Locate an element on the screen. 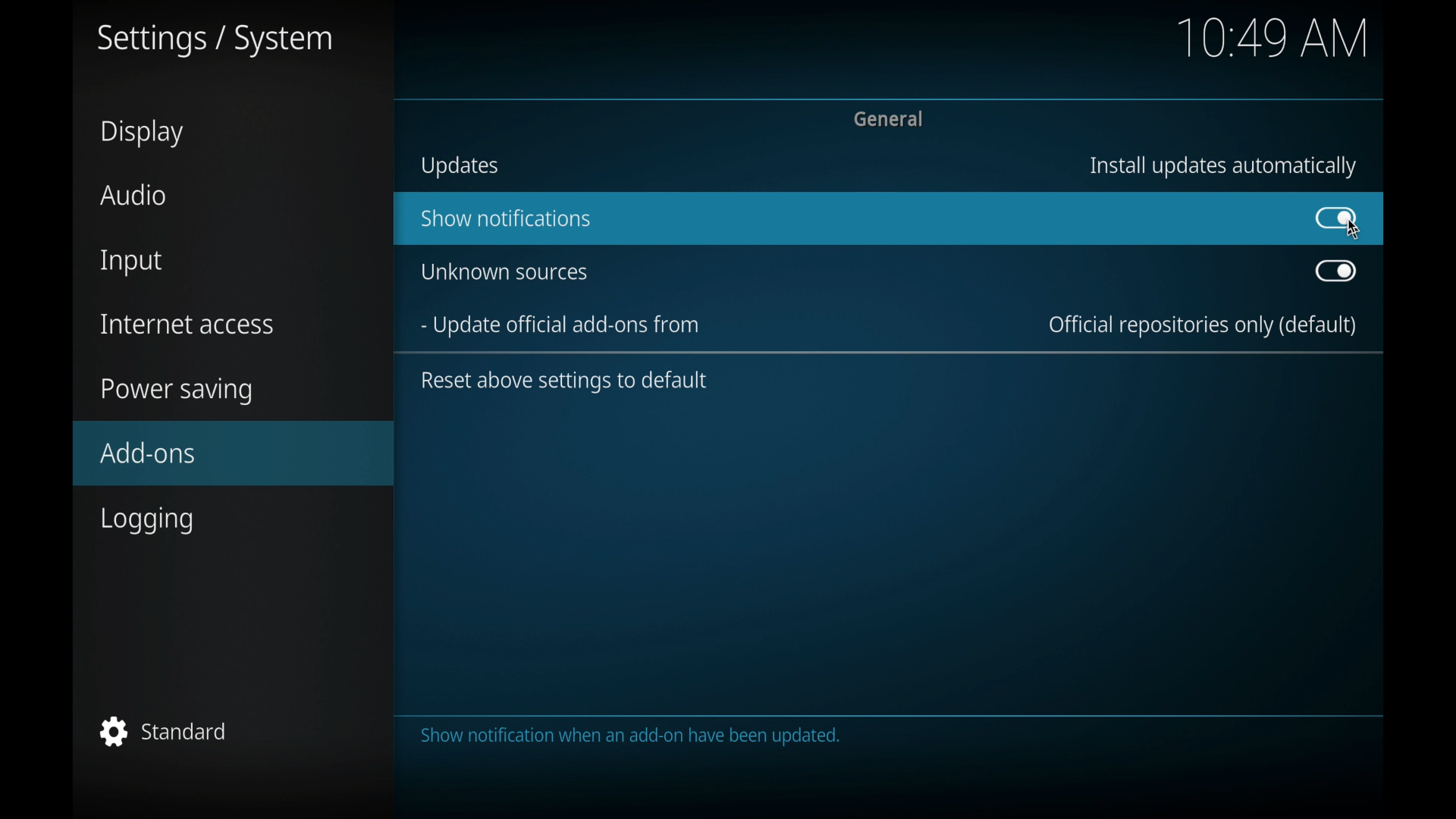 This screenshot has width=1456, height=819. unknown sources is located at coordinates (505, 271).